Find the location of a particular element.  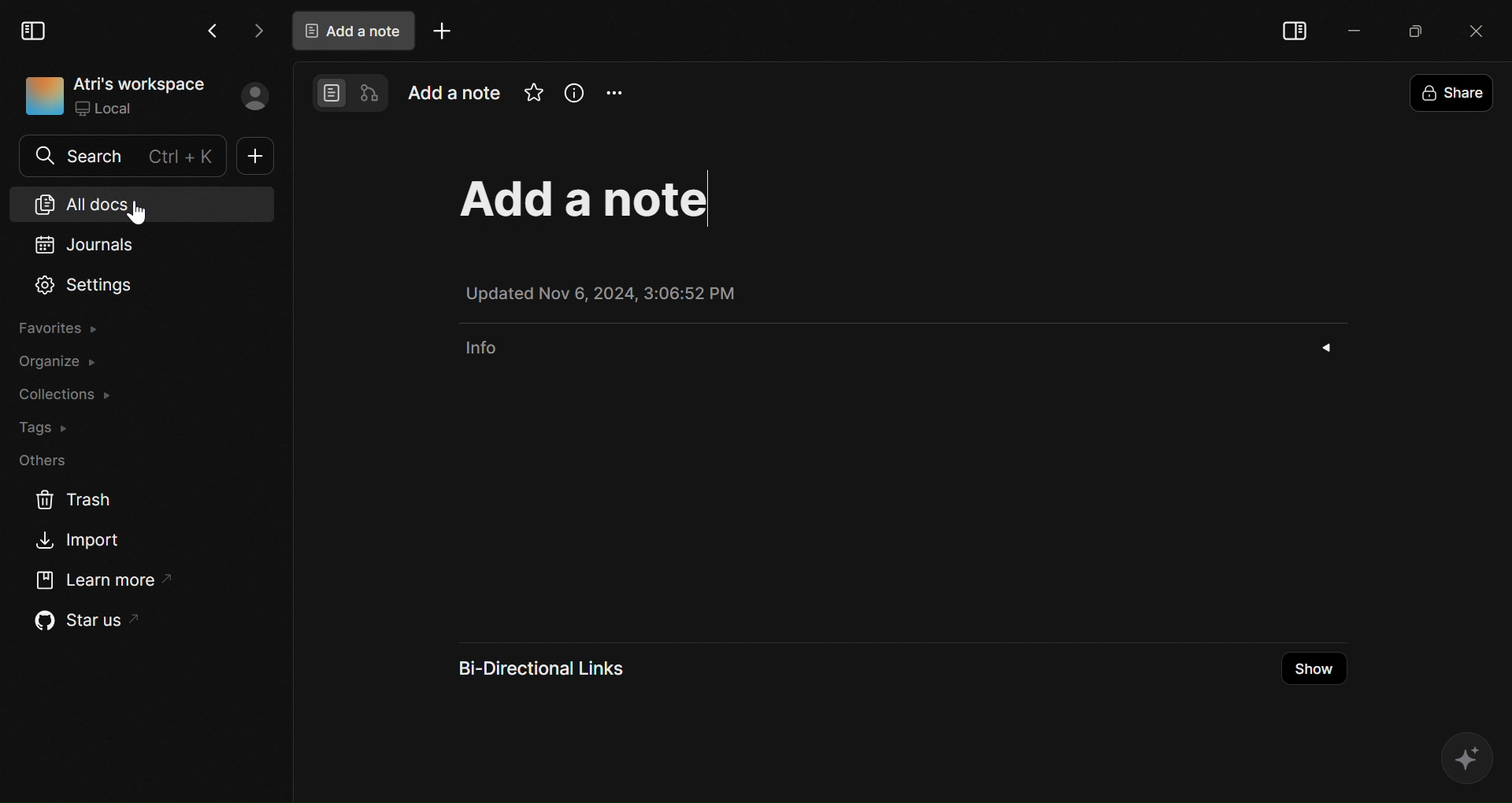

Favorites is located at coordinates (68, 328).